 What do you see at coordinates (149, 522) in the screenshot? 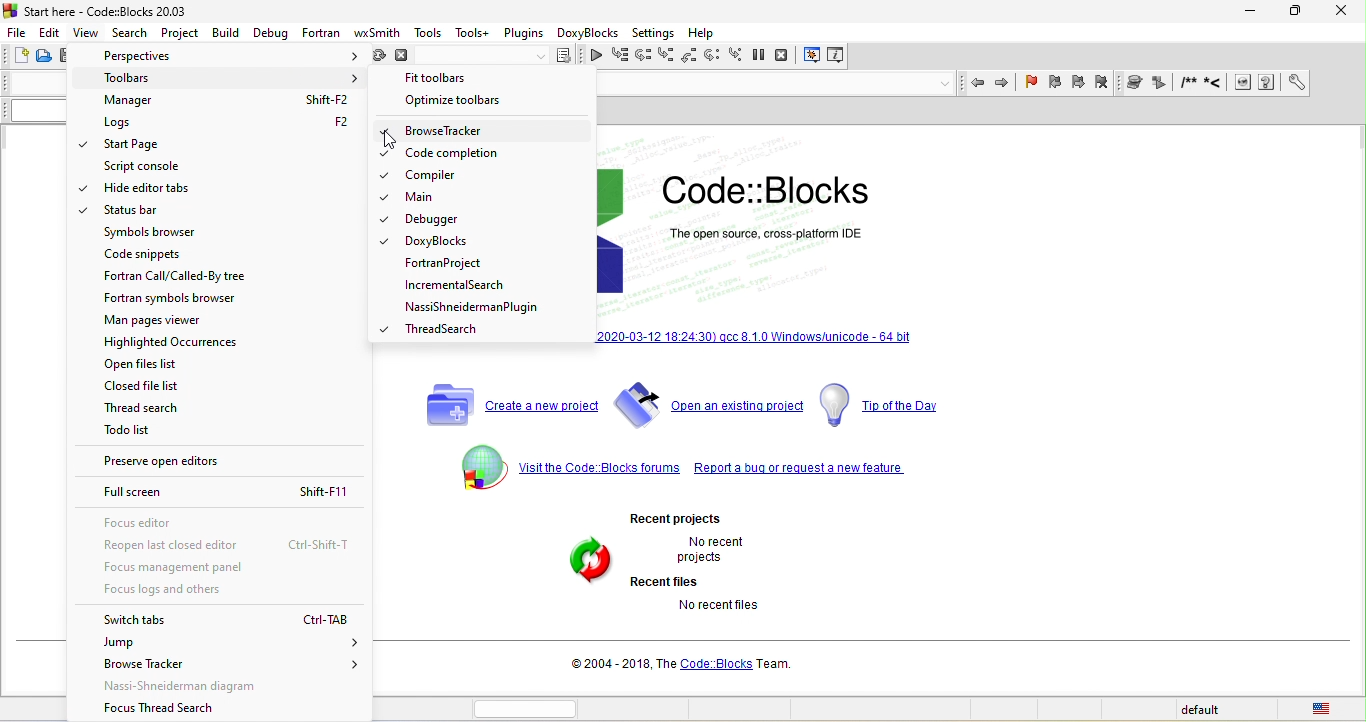
I see `focus editor` at bounding box center [149, 522].